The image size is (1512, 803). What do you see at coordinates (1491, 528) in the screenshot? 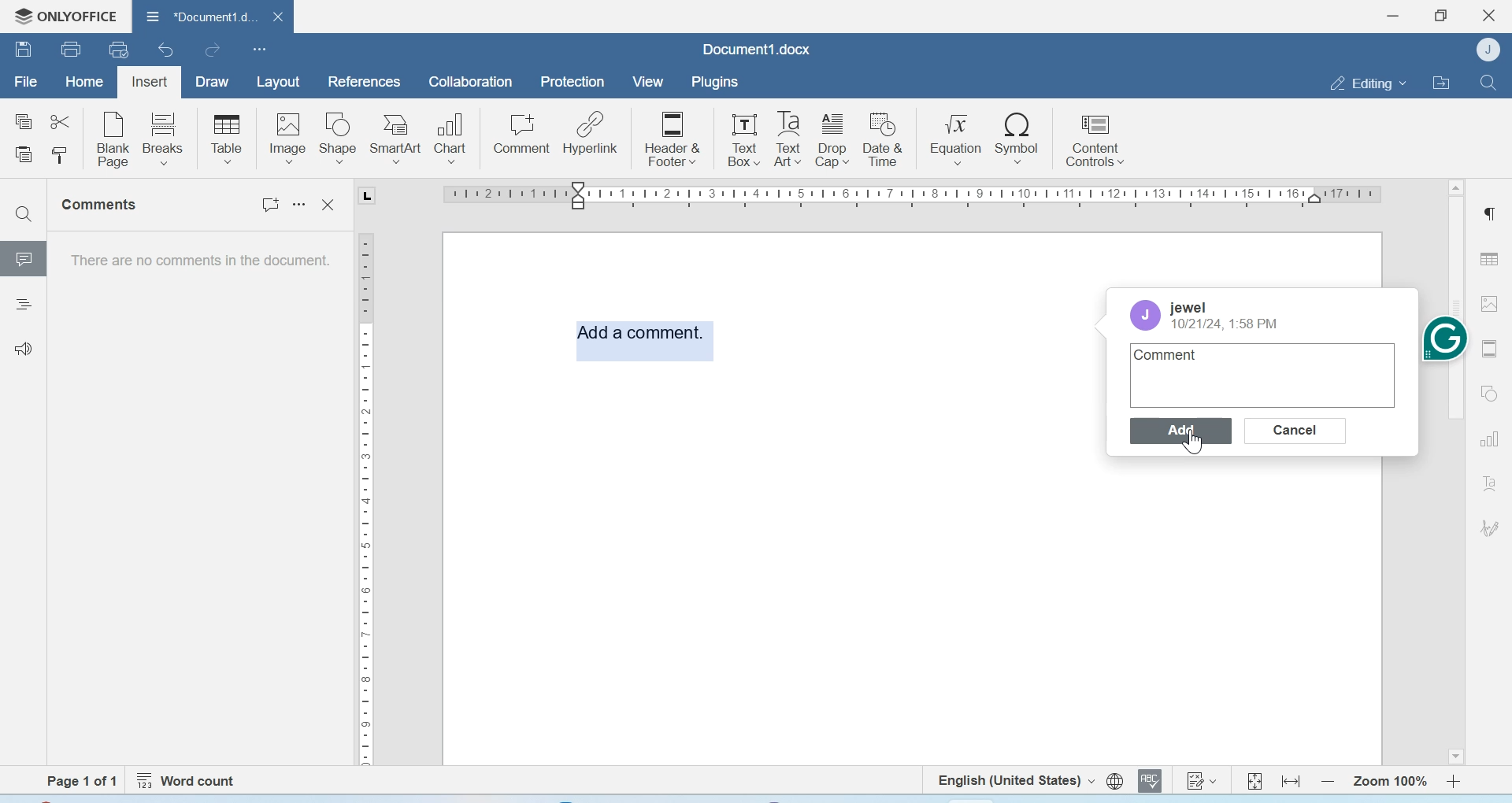
I see `Signature` at bounding box center [1491, 528].